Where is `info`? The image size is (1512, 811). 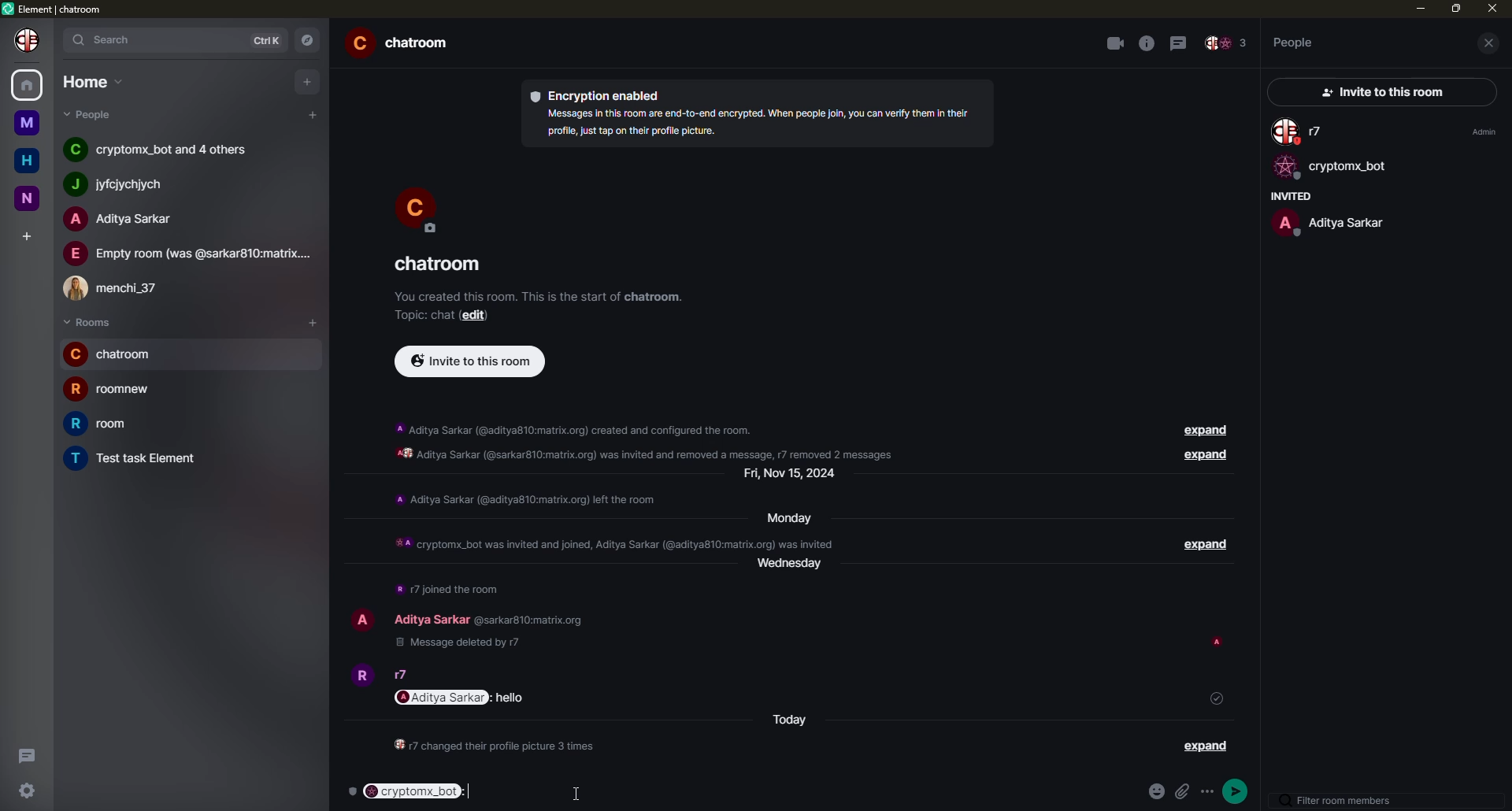
info is located at coordinates (526, 499).